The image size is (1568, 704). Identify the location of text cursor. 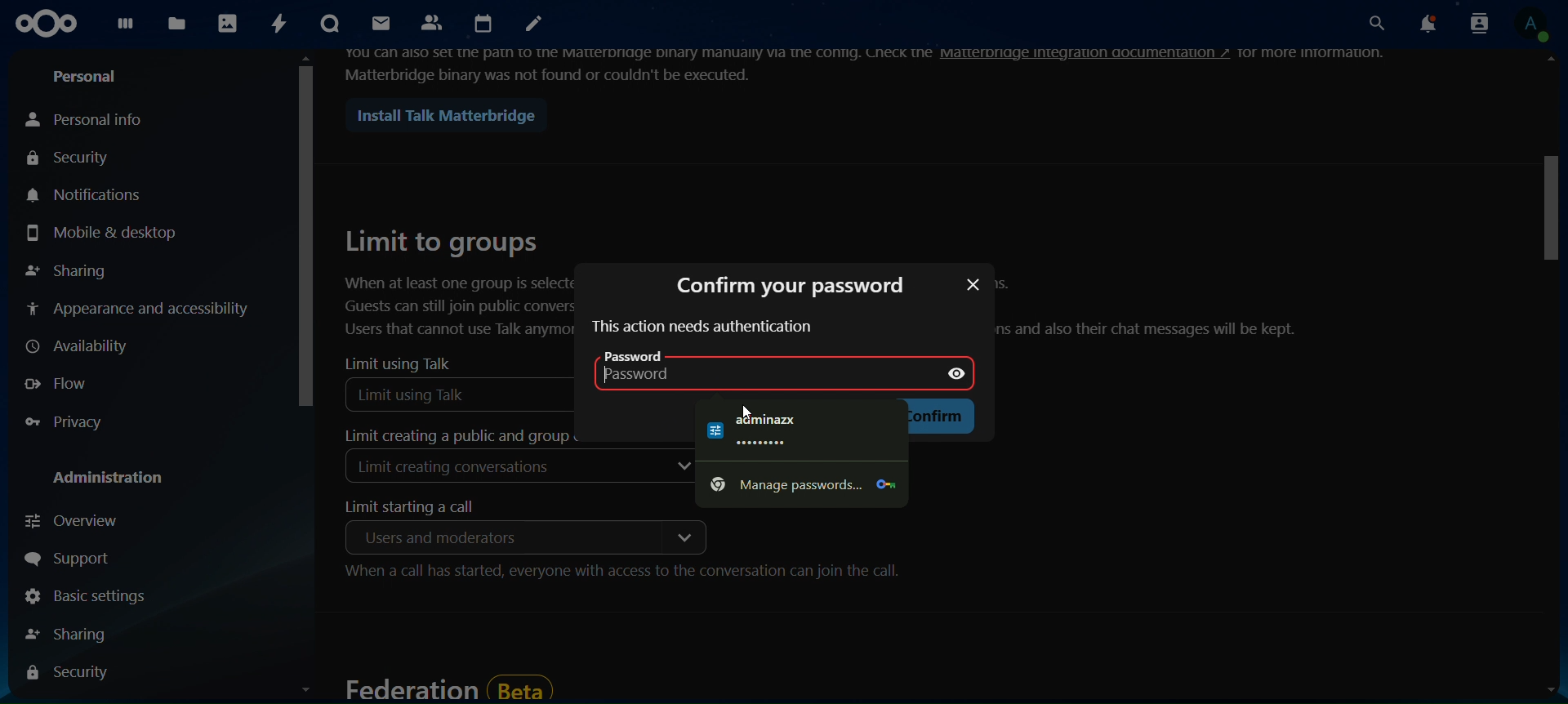
(616, 385).